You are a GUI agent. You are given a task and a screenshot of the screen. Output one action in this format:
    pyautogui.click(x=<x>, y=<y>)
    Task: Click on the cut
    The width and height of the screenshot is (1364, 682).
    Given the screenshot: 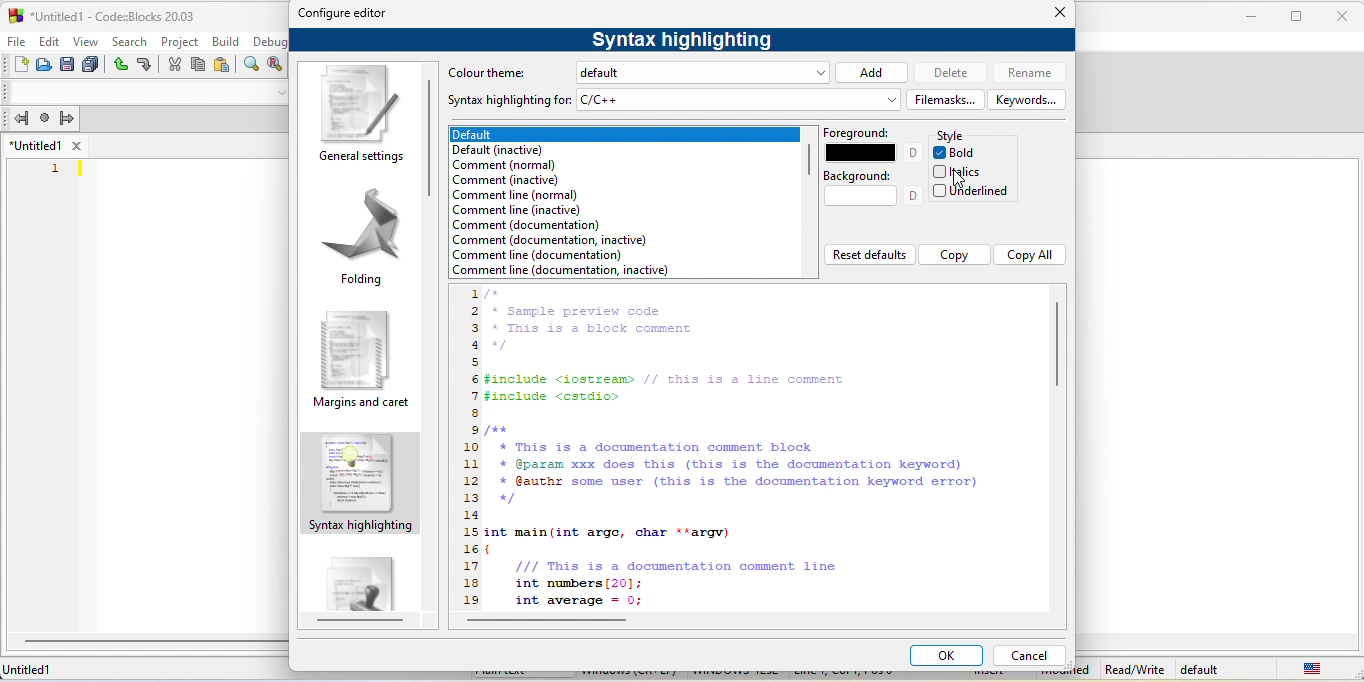 What is the action you would take?
    pyautogui.click(x=174, y=64)
    